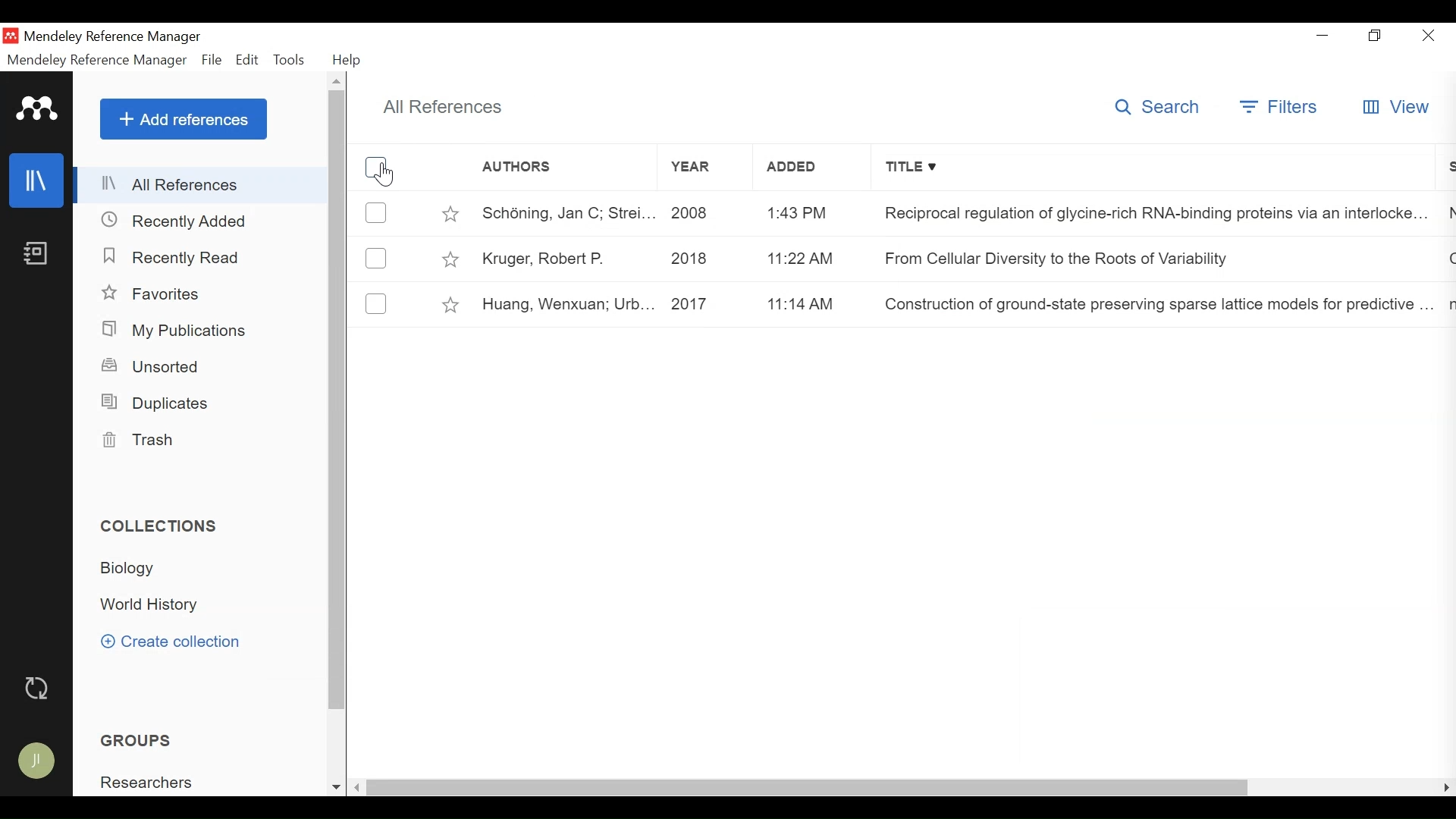 This screenshot has width=1456, height=819. I want to click on (un)Select all, so click(378, 168).